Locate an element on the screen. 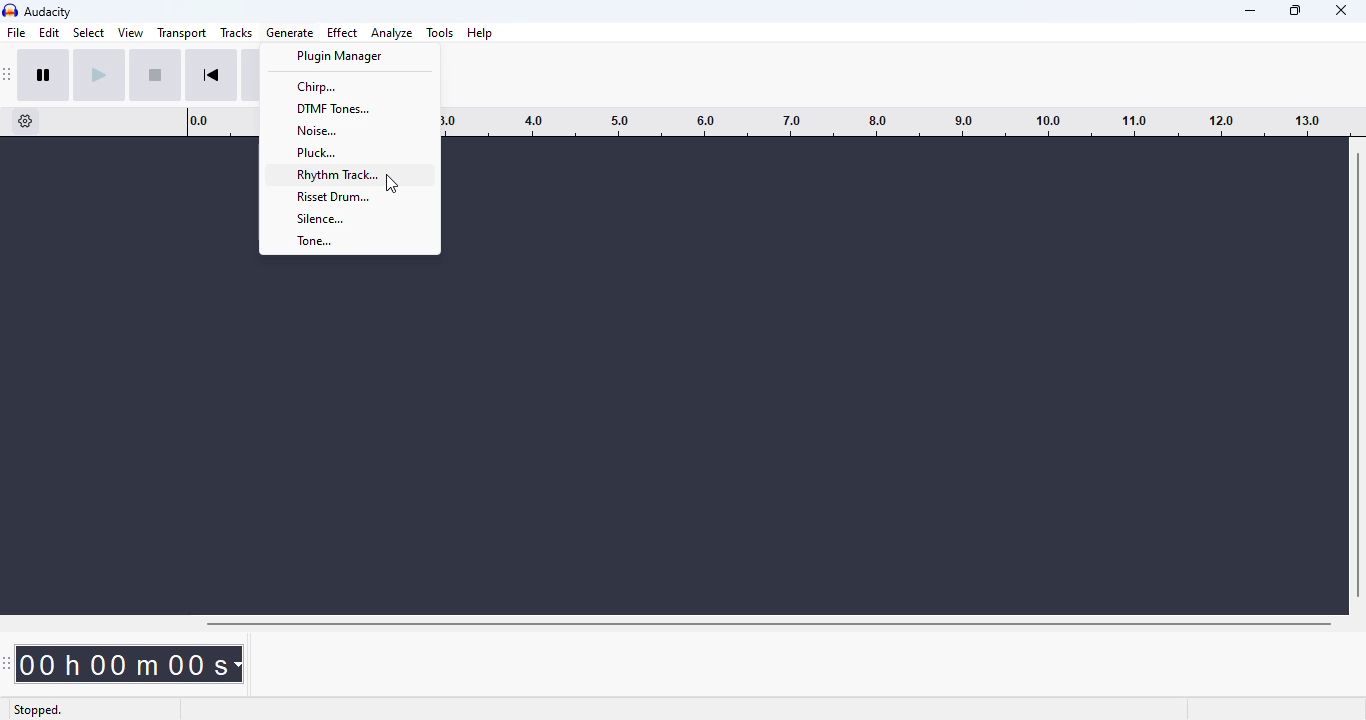 This screenshot has width=1366, height=720. analyze is located at coordinates (392, 33).